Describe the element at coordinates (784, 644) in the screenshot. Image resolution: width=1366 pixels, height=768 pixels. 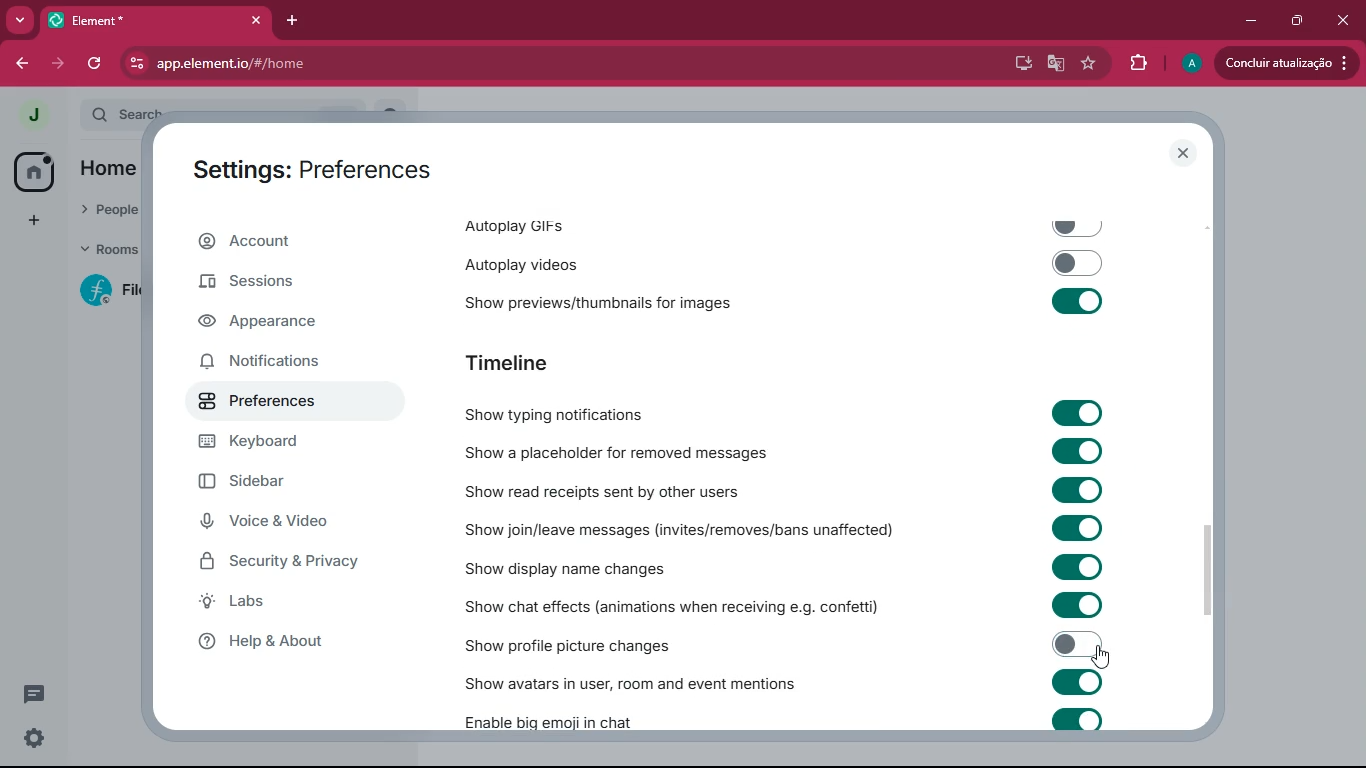
I see `Show profile picture changes ` at that location.